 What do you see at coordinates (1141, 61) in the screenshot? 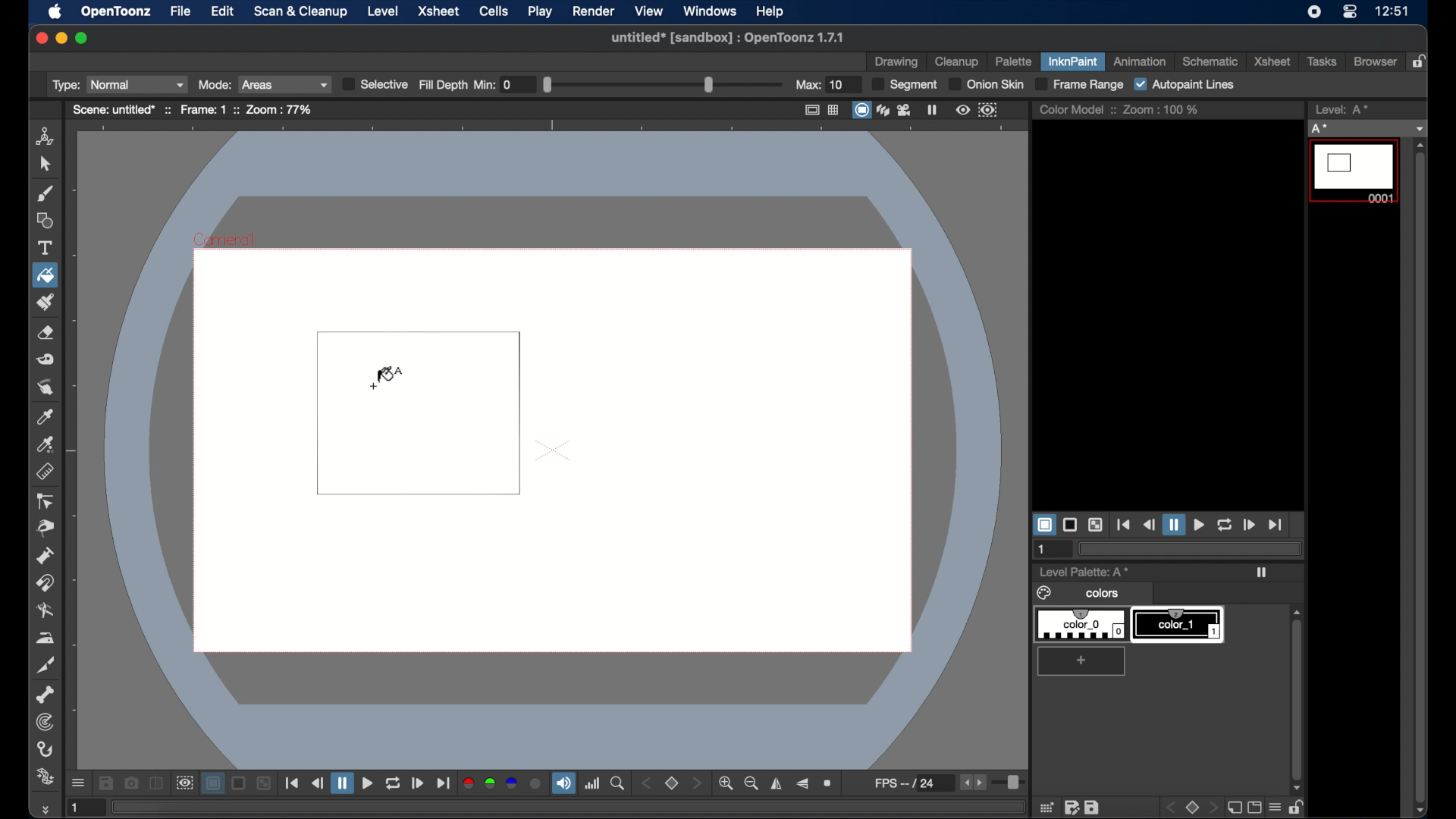
I see `animation` at bounding box center [1141, 61].